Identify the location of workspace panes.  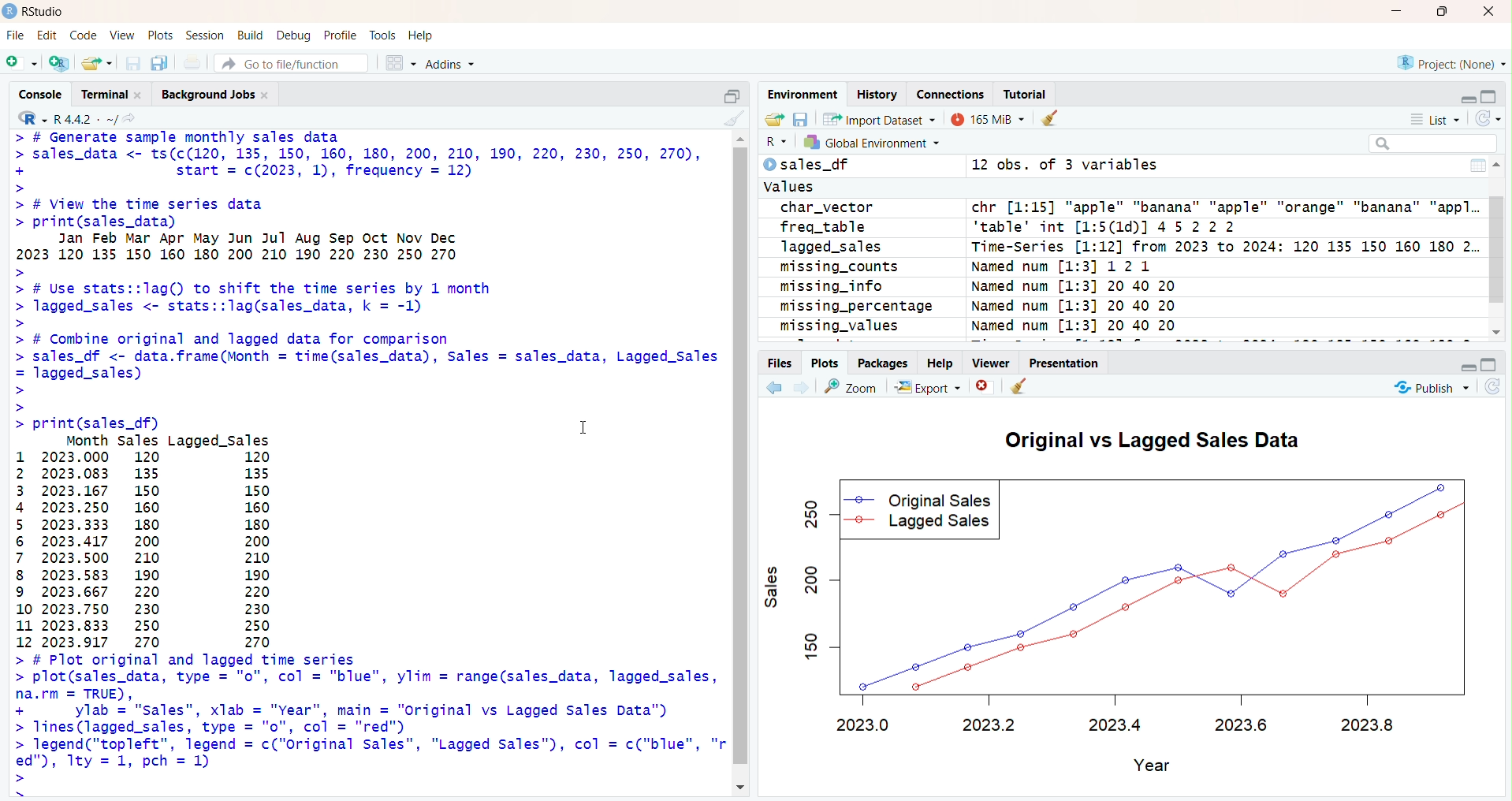
(400, 62).